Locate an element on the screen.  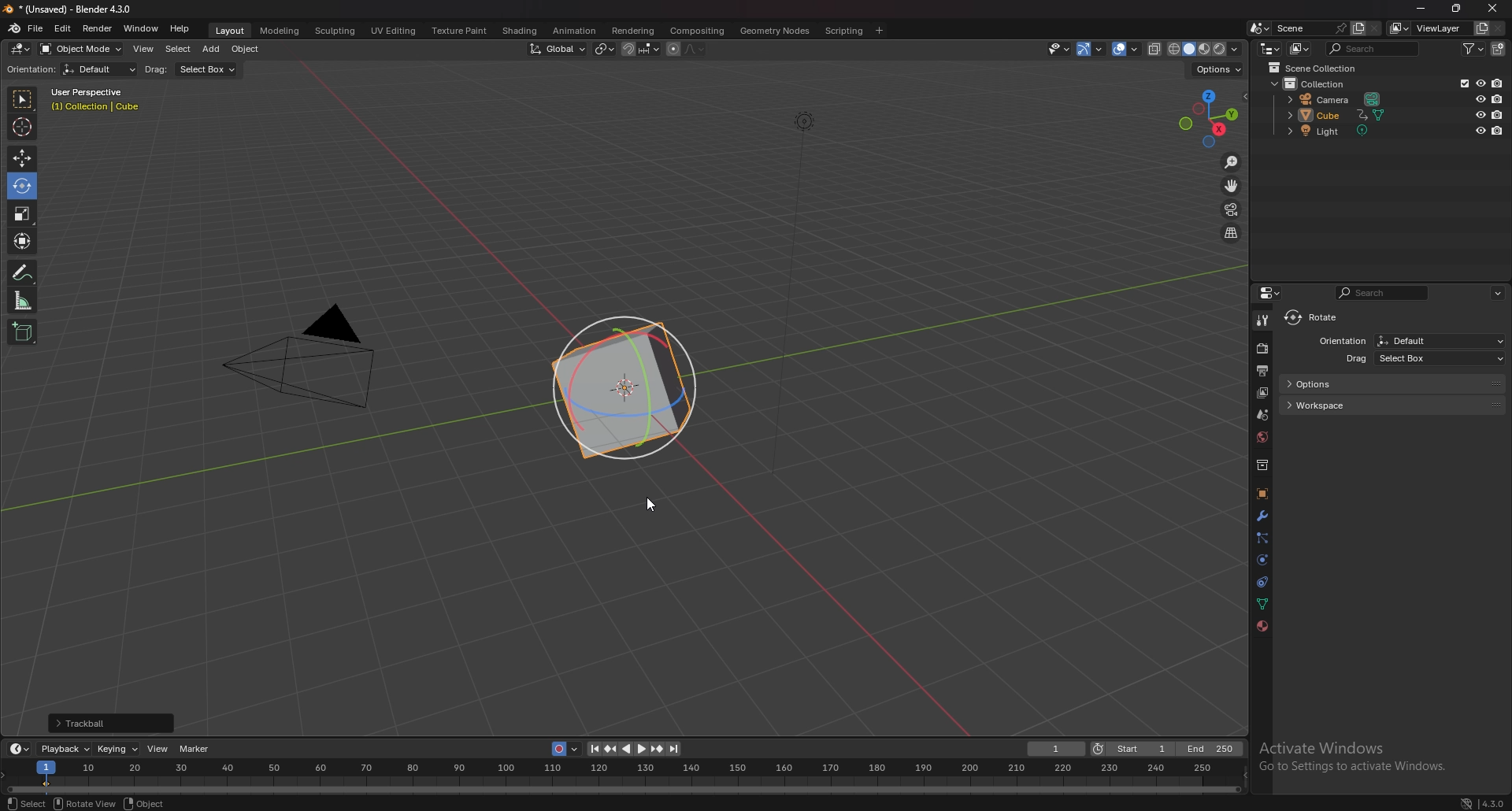
geometry nodes is located at coordinates (776, 31).